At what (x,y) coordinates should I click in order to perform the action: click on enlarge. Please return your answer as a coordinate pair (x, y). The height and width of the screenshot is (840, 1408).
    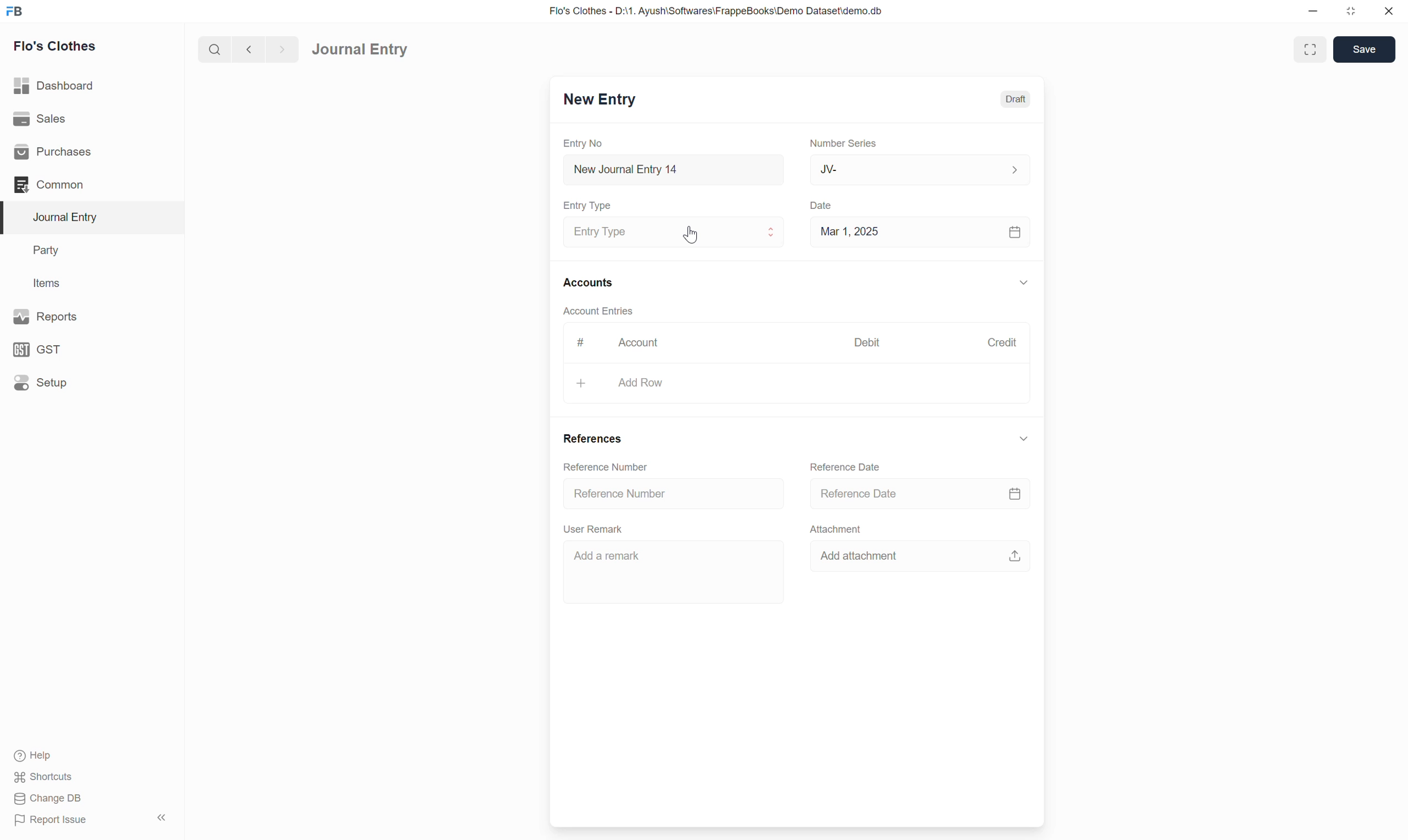
    Looking at the image, I should click on (1312, 48).